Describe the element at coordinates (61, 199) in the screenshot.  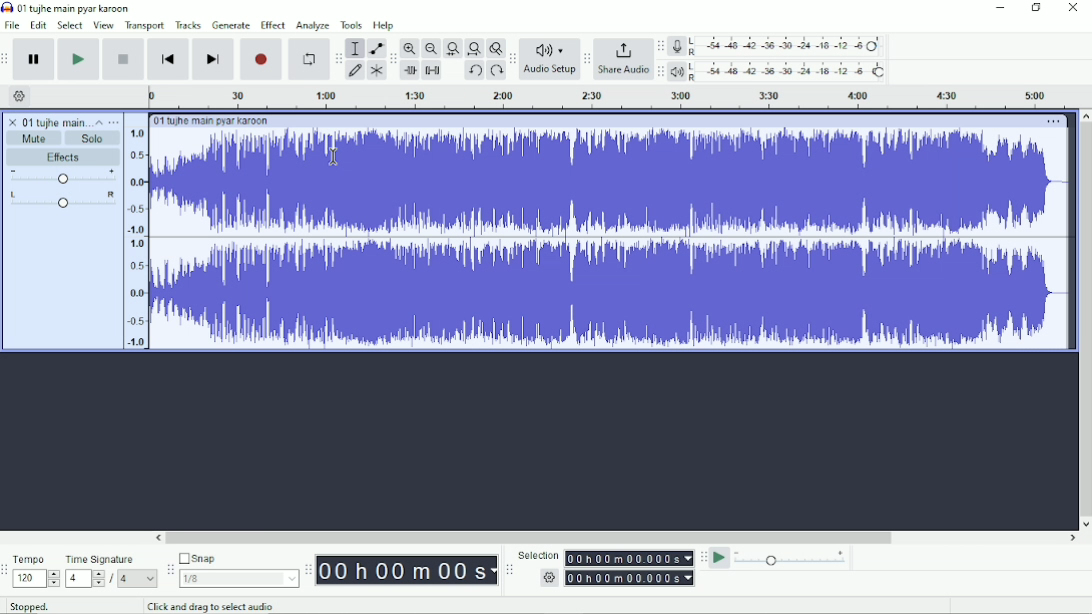
I see `Pan` at that location.